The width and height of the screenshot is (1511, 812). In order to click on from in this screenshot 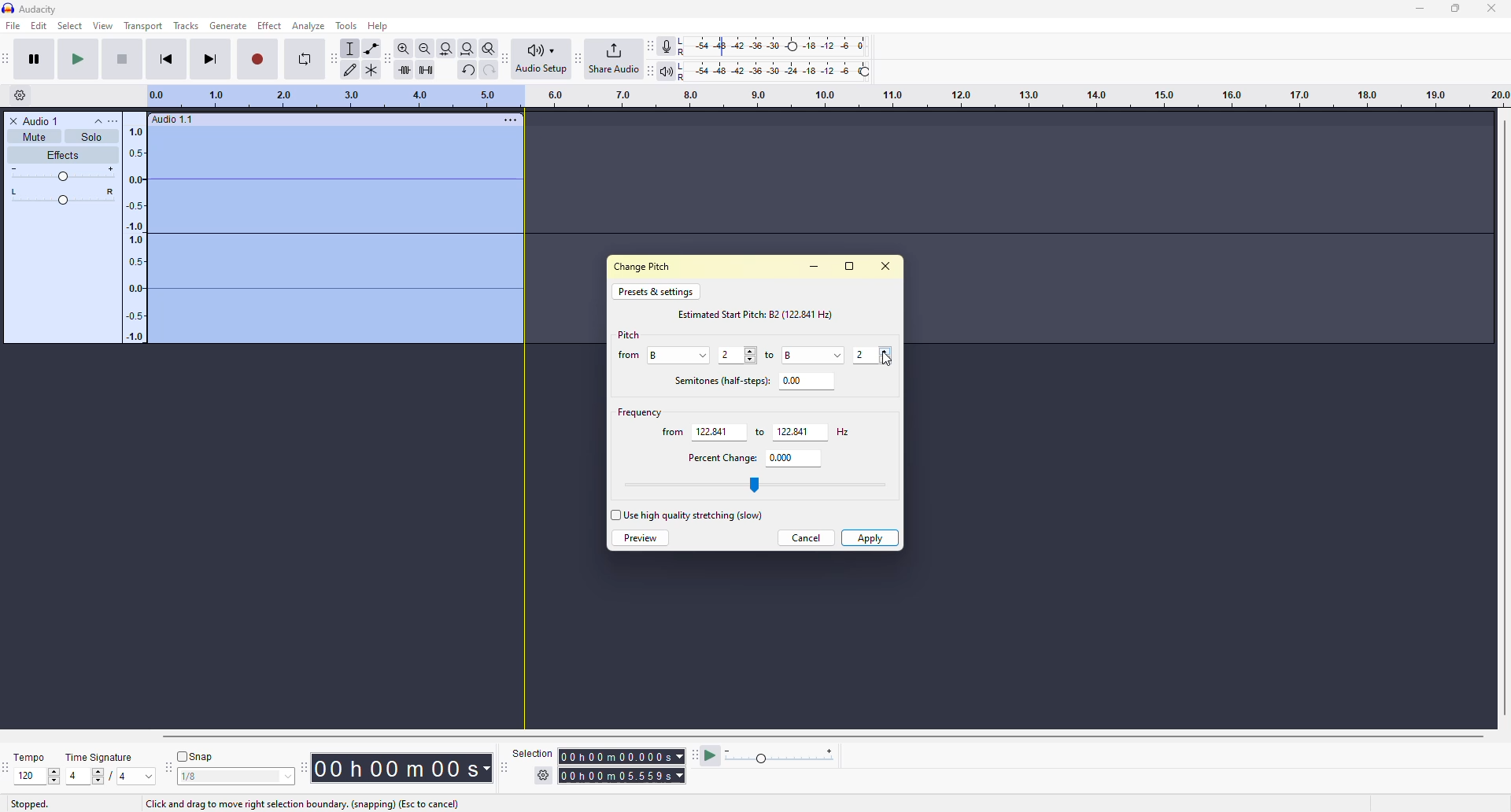, I will do `click(628, 356)`.